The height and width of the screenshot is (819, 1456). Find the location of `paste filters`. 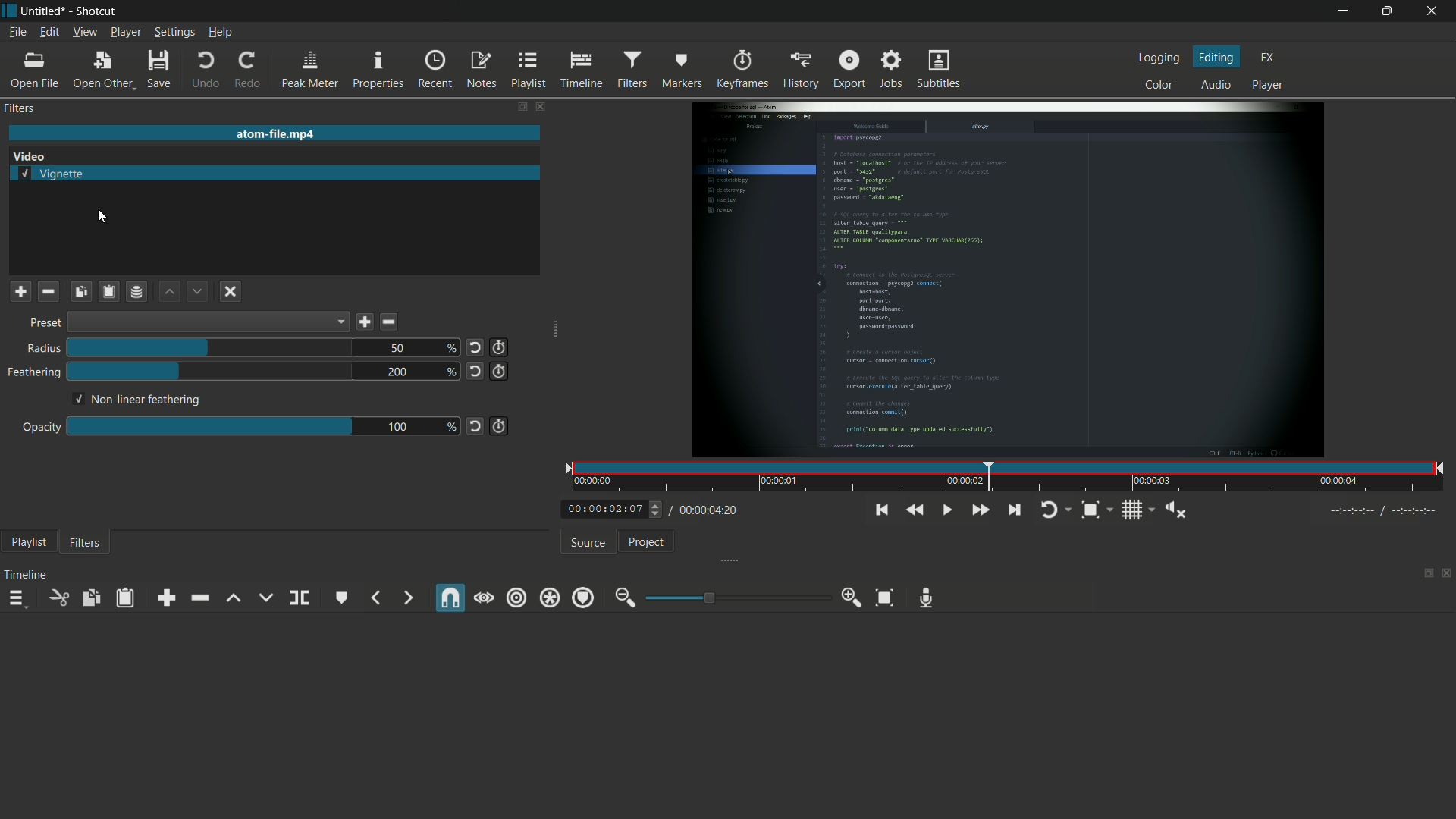

paste filters is located at coordinates (109, 292).